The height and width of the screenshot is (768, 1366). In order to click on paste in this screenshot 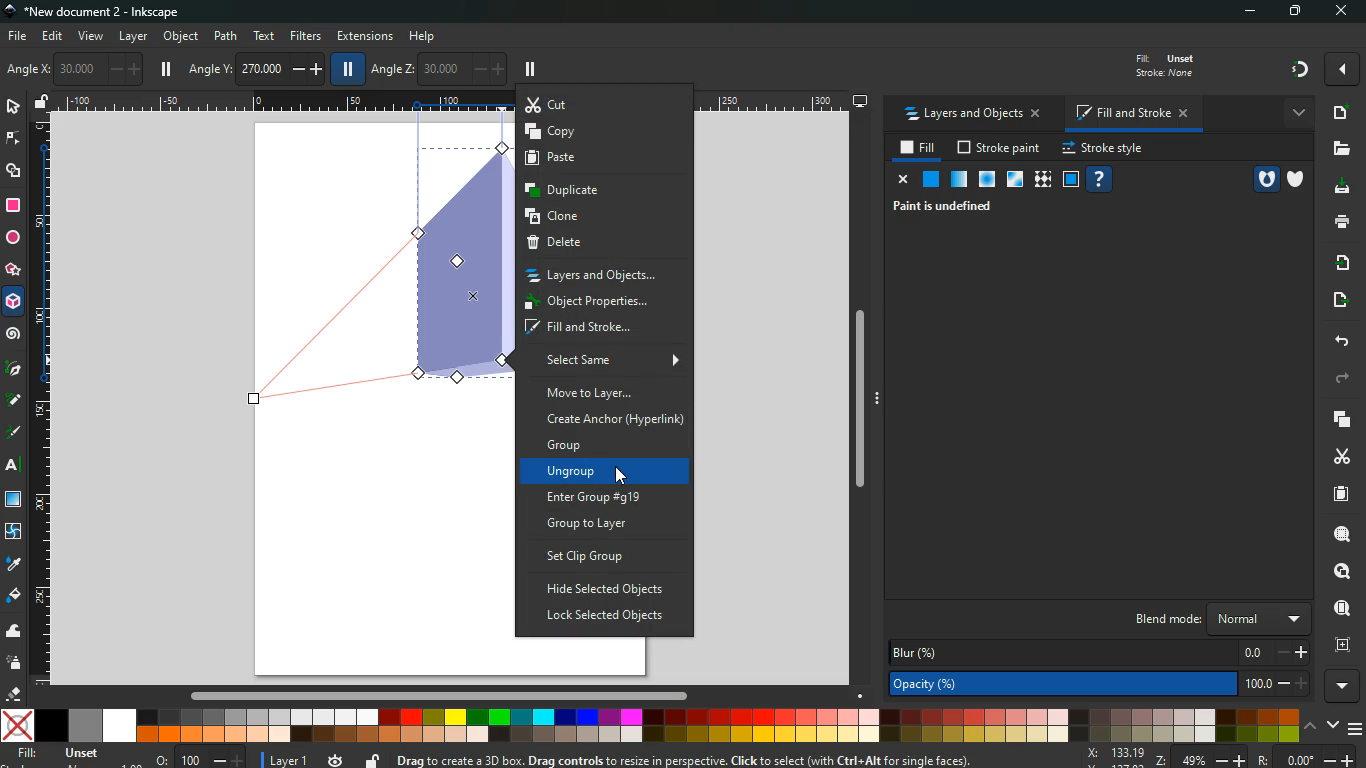, I will do `click(604, 161)`.